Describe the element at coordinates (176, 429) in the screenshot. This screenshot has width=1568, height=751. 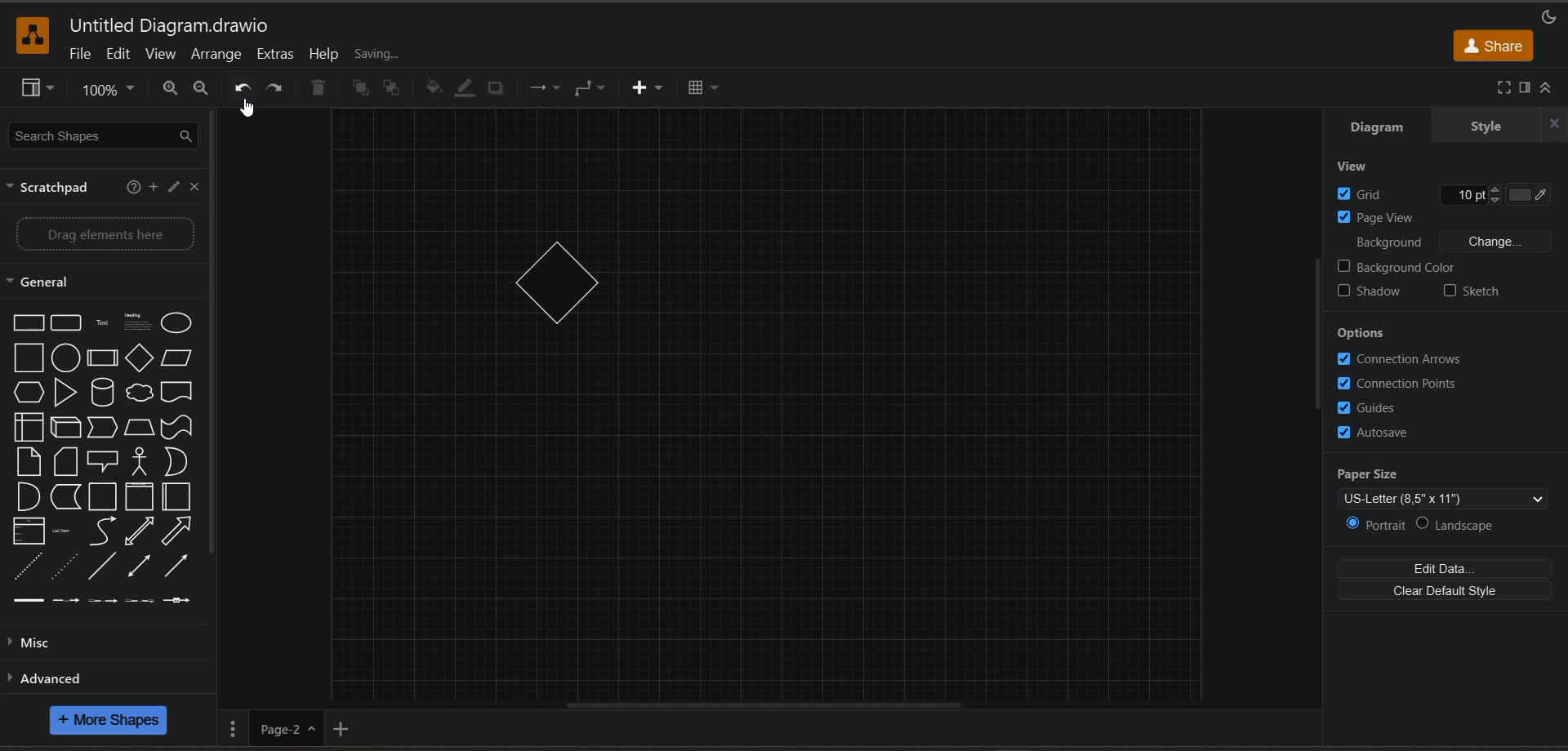
I see `Tape` at that location.